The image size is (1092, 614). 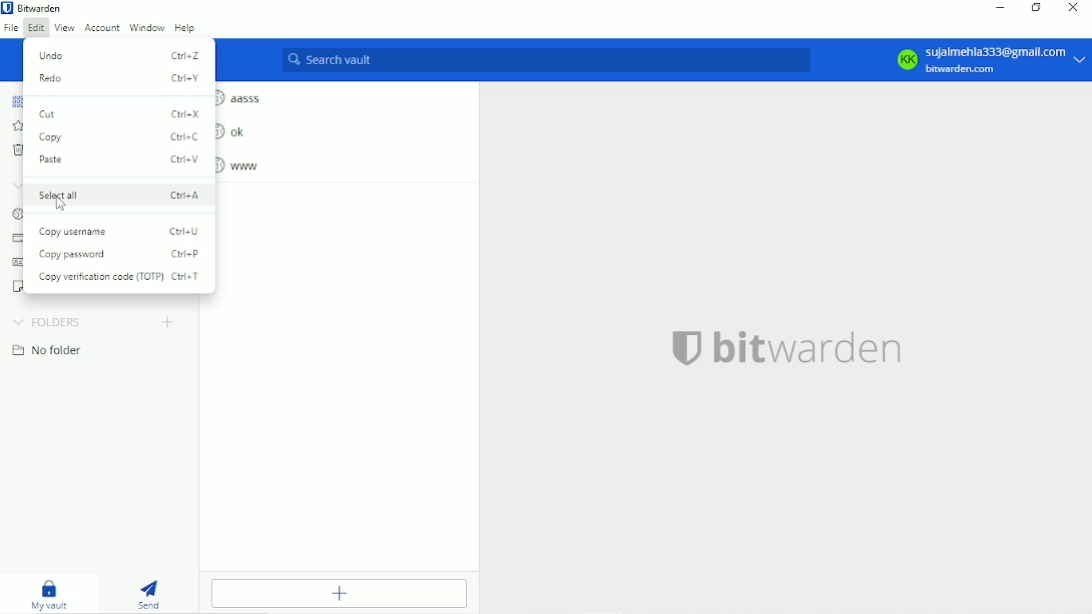 What do you see at coordinates (120, 194) in the screenshot?
I see `Select all` at bounding box center [120, 194].